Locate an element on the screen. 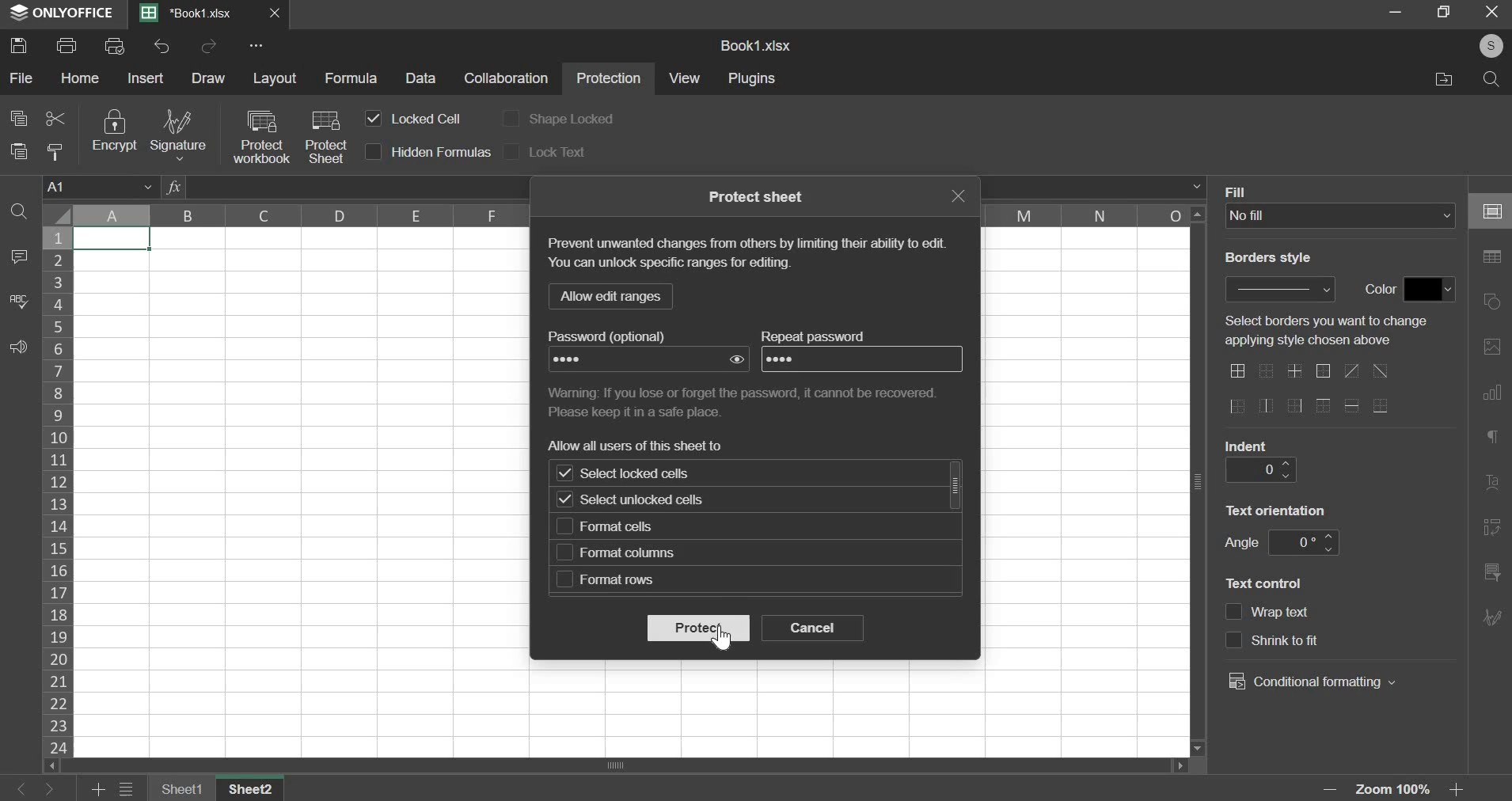 The height and width of the screenshot is (801, 1512). save is located at coordinates (19, 44).